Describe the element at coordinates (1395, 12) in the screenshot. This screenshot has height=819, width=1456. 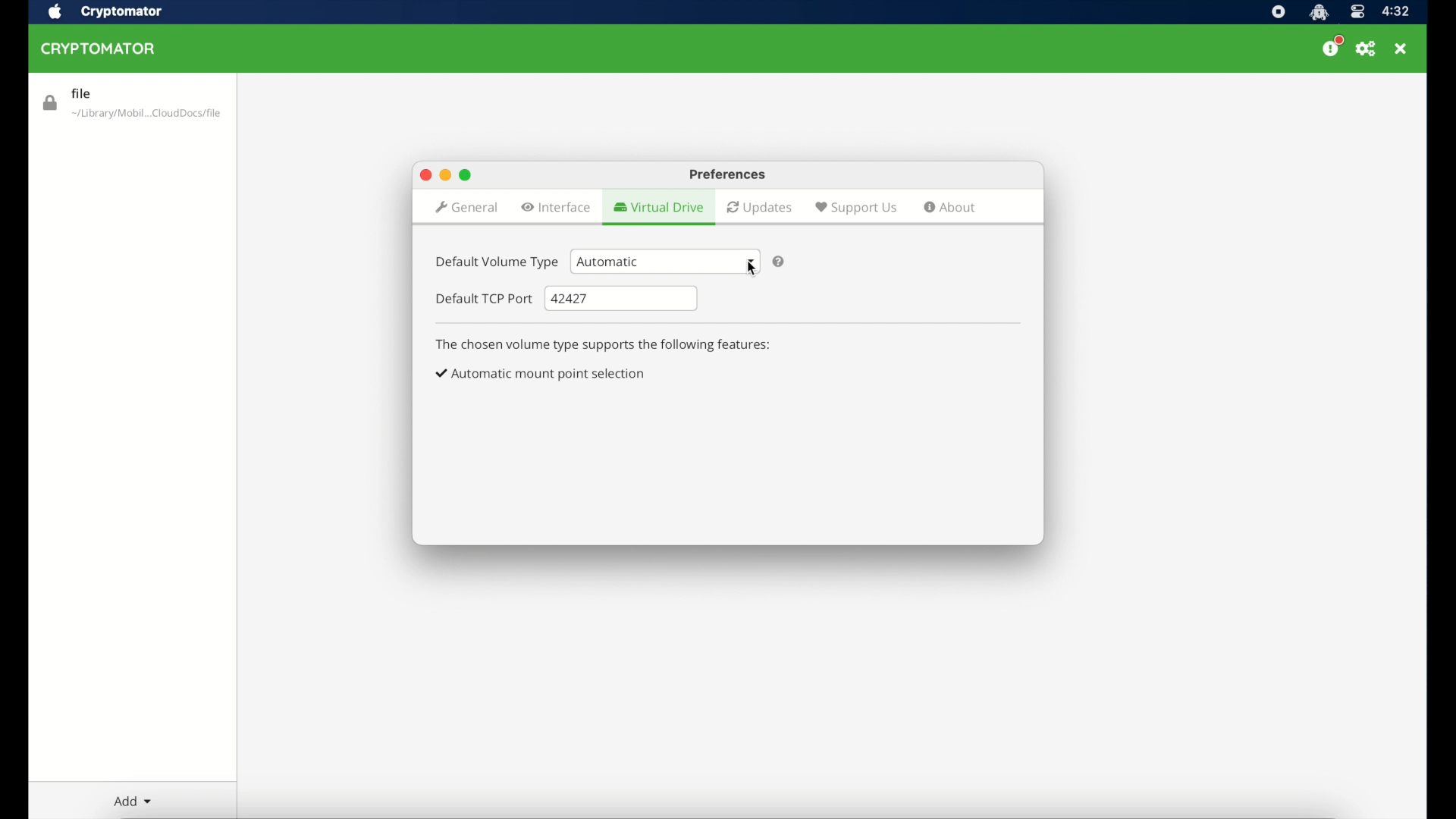
I see `time` at that location.